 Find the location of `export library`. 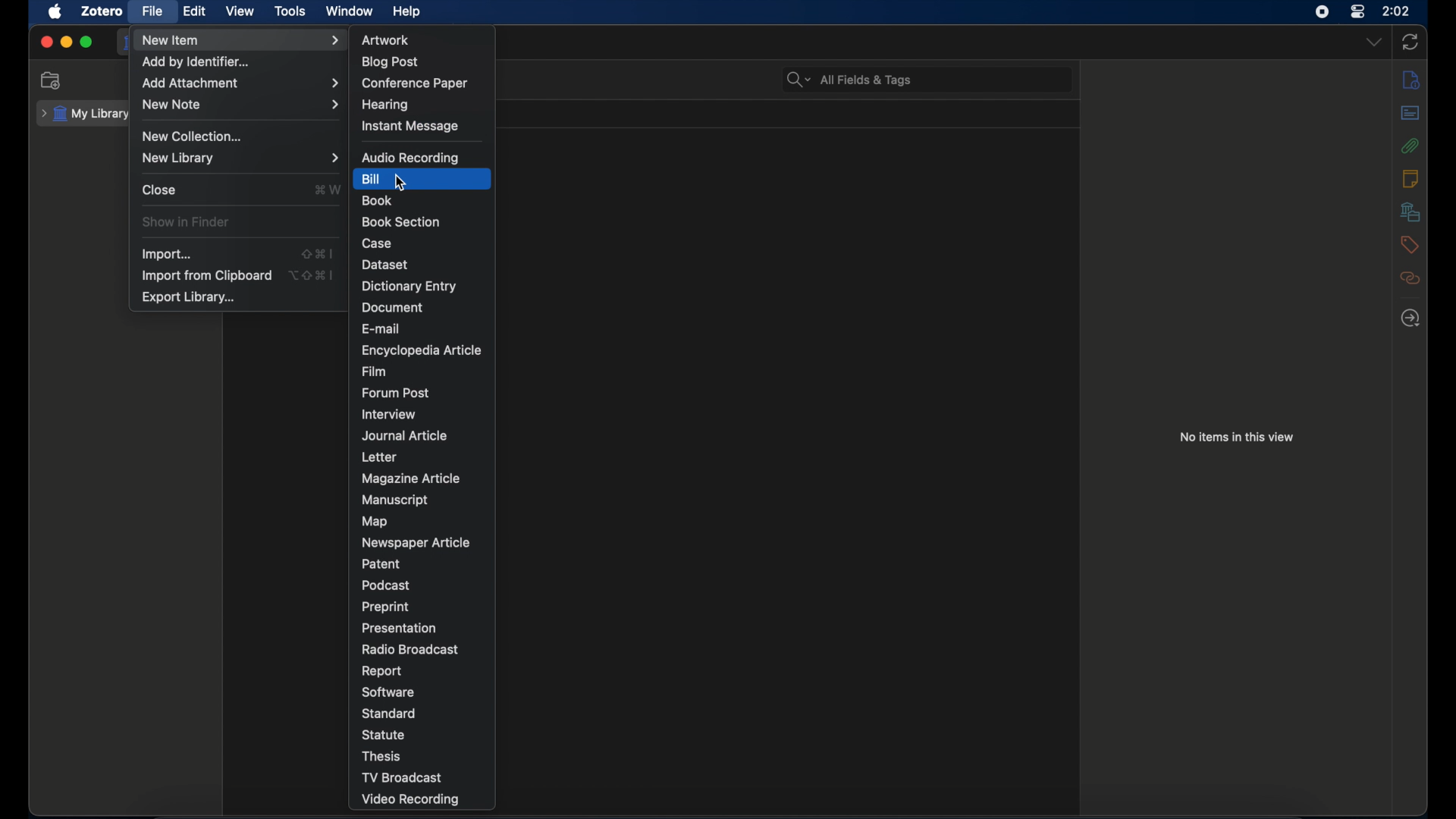

export library is located at coordinates (190, 297).